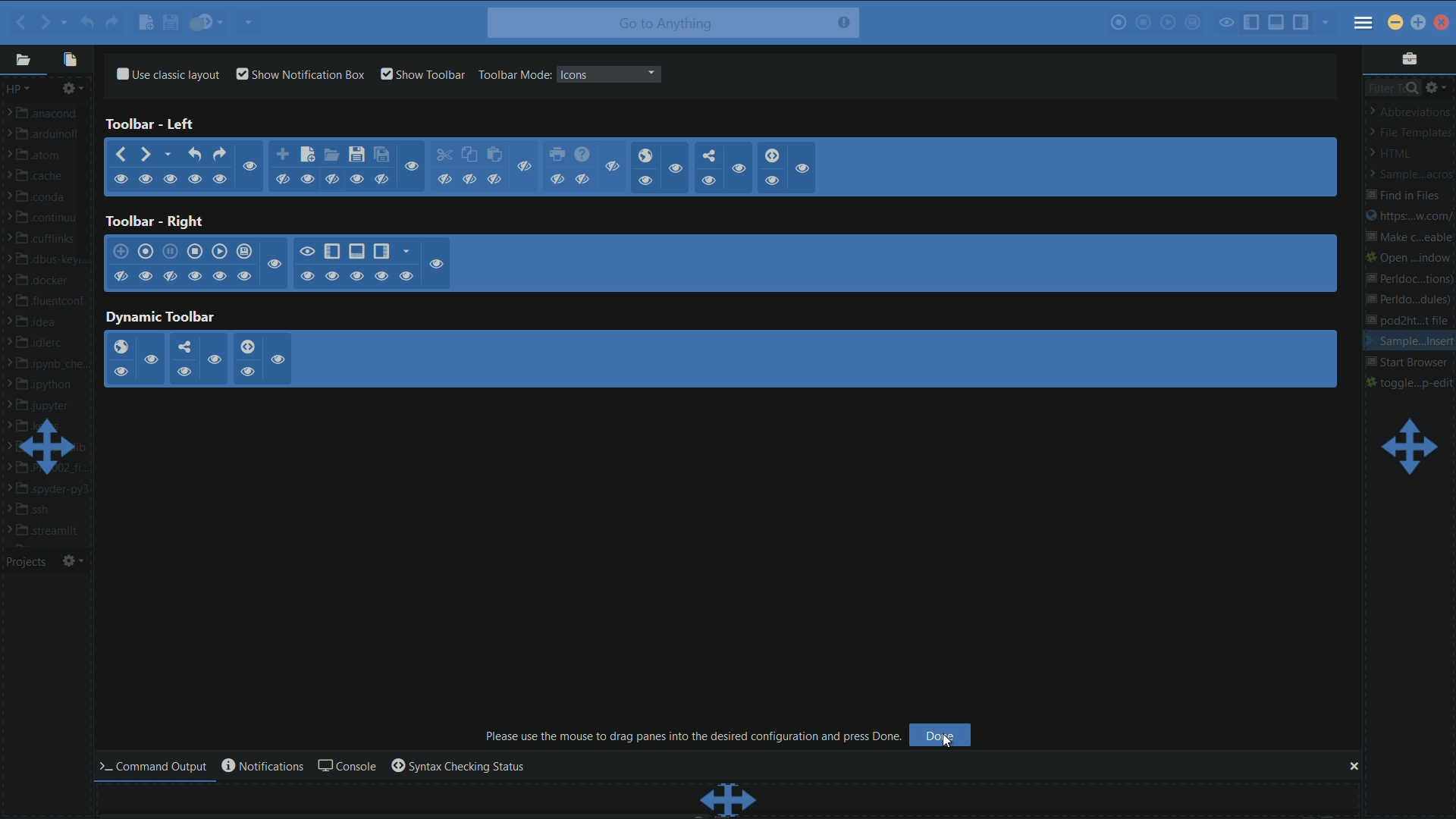 This screenshot has width=1456, height=819. Describe the element at coordinates (53, 301) in the screenshot. I see `.fluentconf` at that location.